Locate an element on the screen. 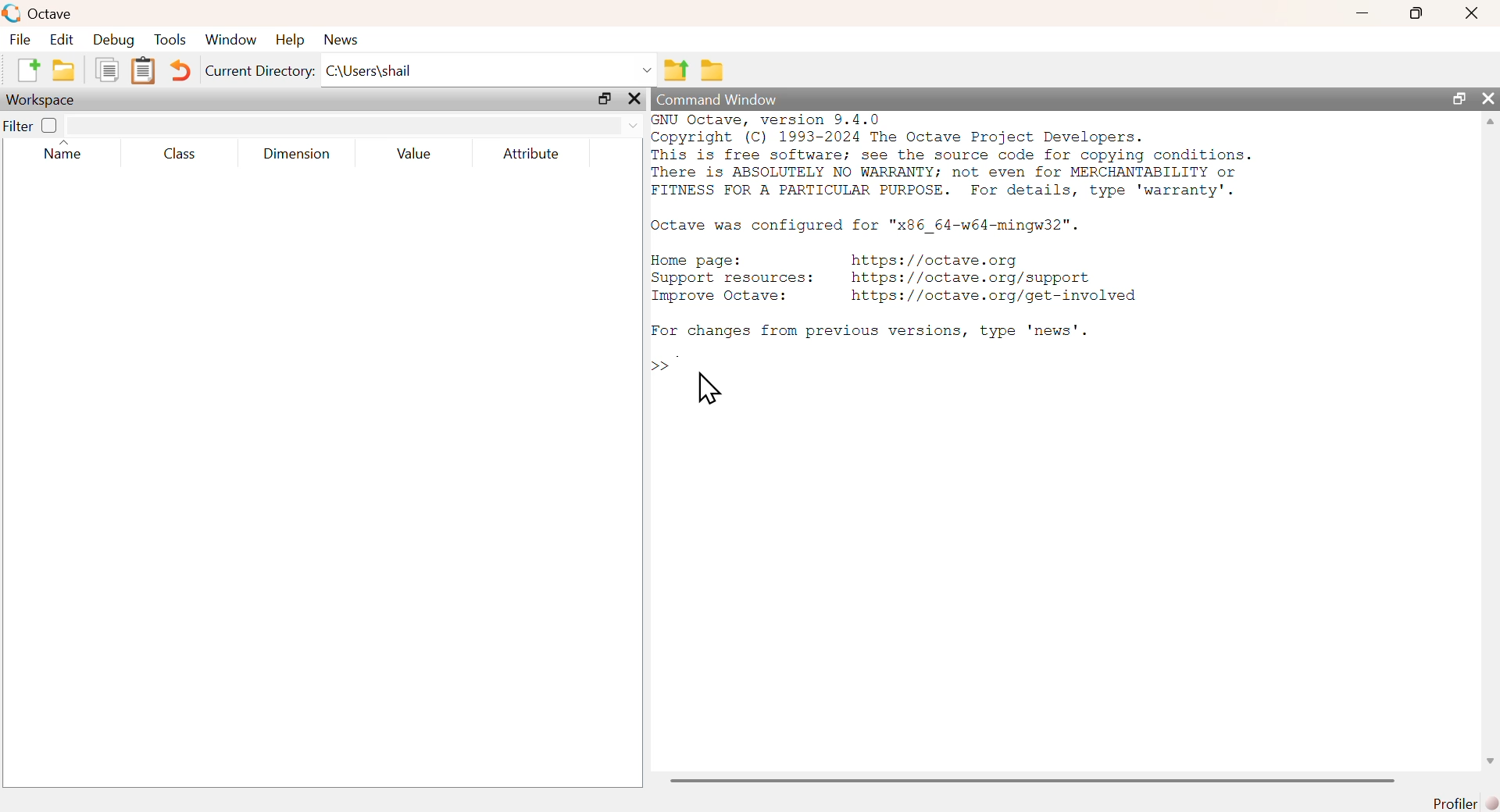 This screenshot has width=1500, height=812. tools is located at coordinates (171, 41).